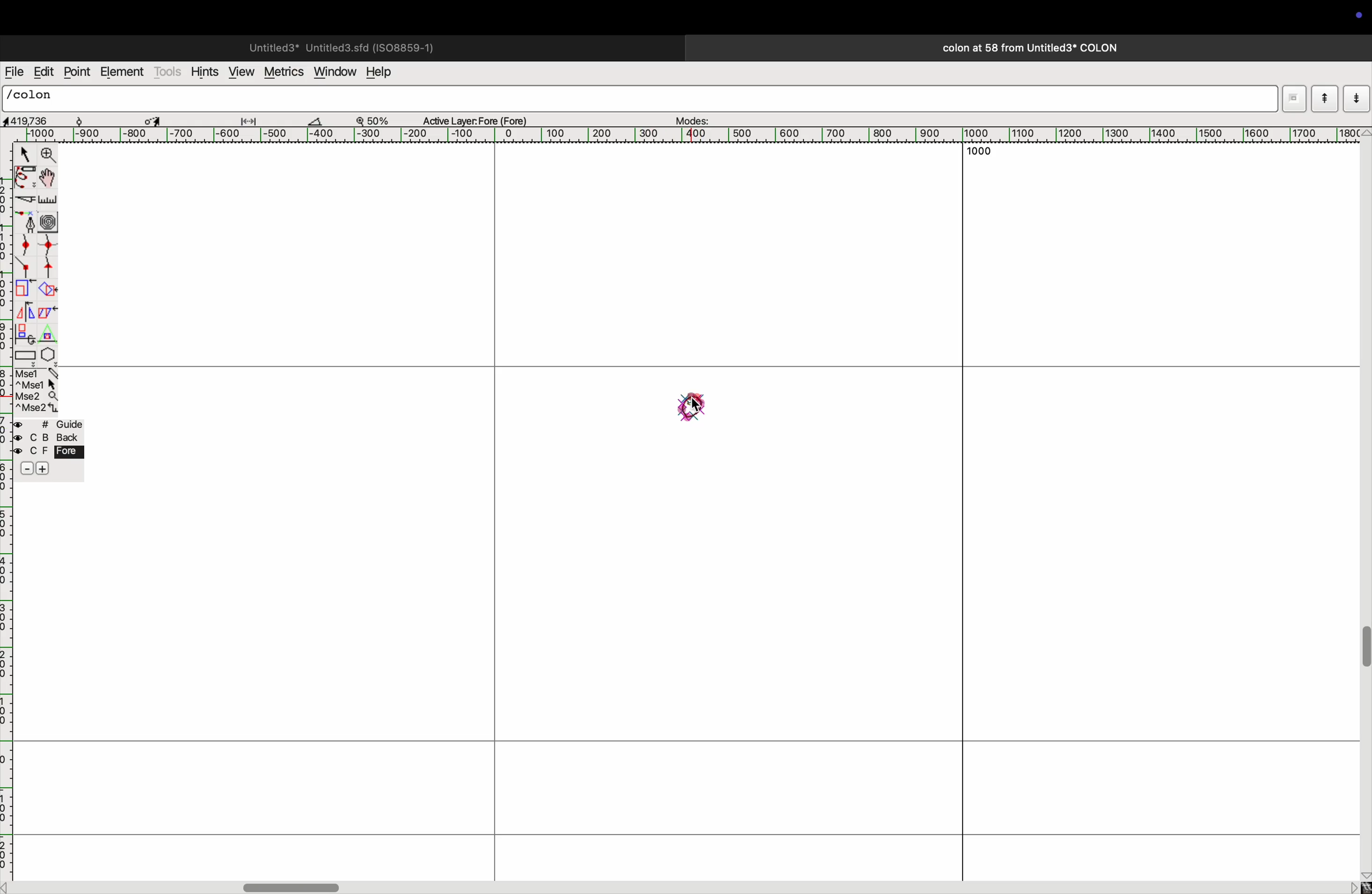 The height and width of the screenshot is (894, 1372). Describe the element at coordinates (122, 73) in the screenshot. I see `element` at that location.